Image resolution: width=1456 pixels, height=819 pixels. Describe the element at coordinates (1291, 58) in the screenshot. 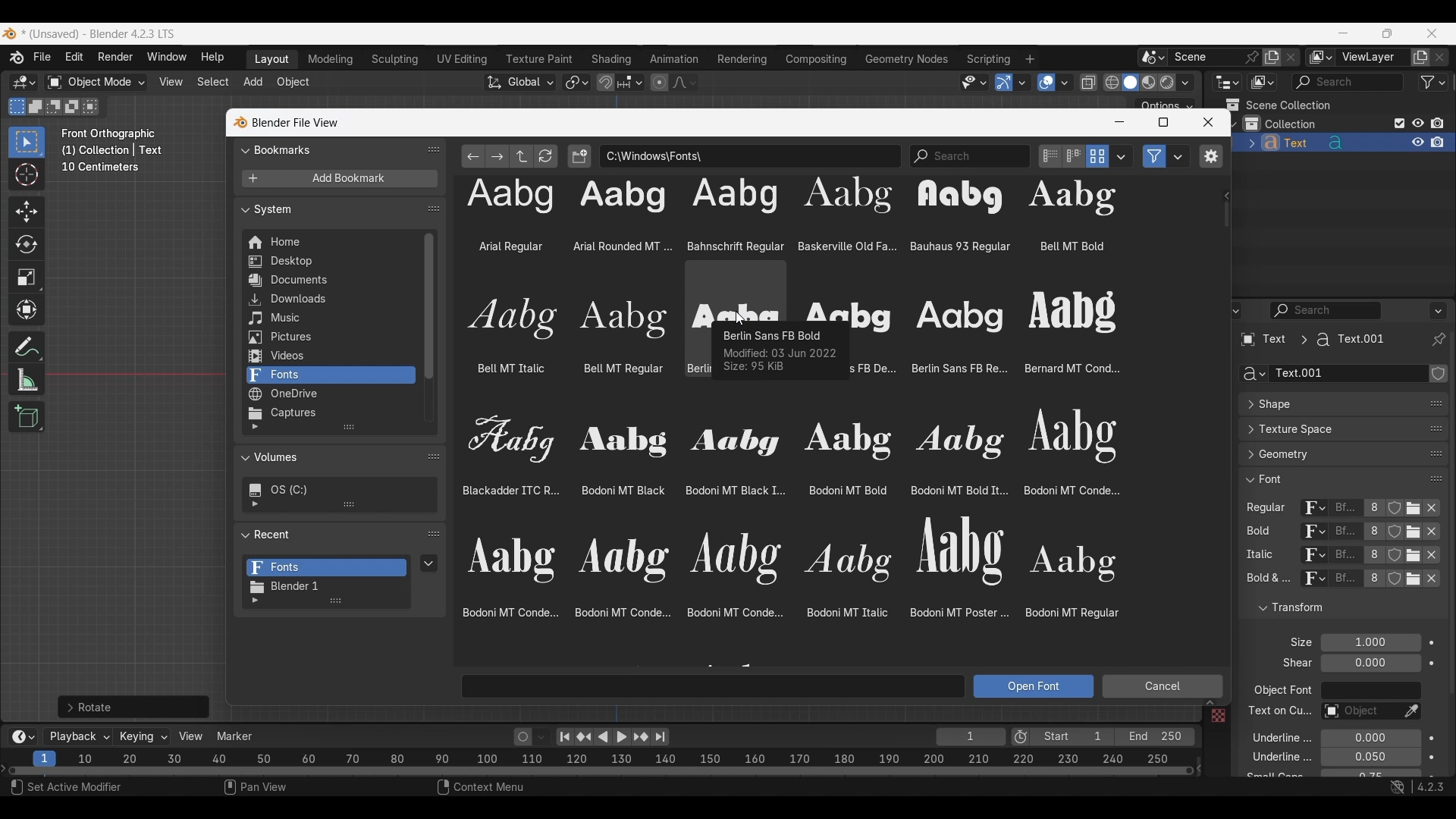

I see `Delete scene` at that location.